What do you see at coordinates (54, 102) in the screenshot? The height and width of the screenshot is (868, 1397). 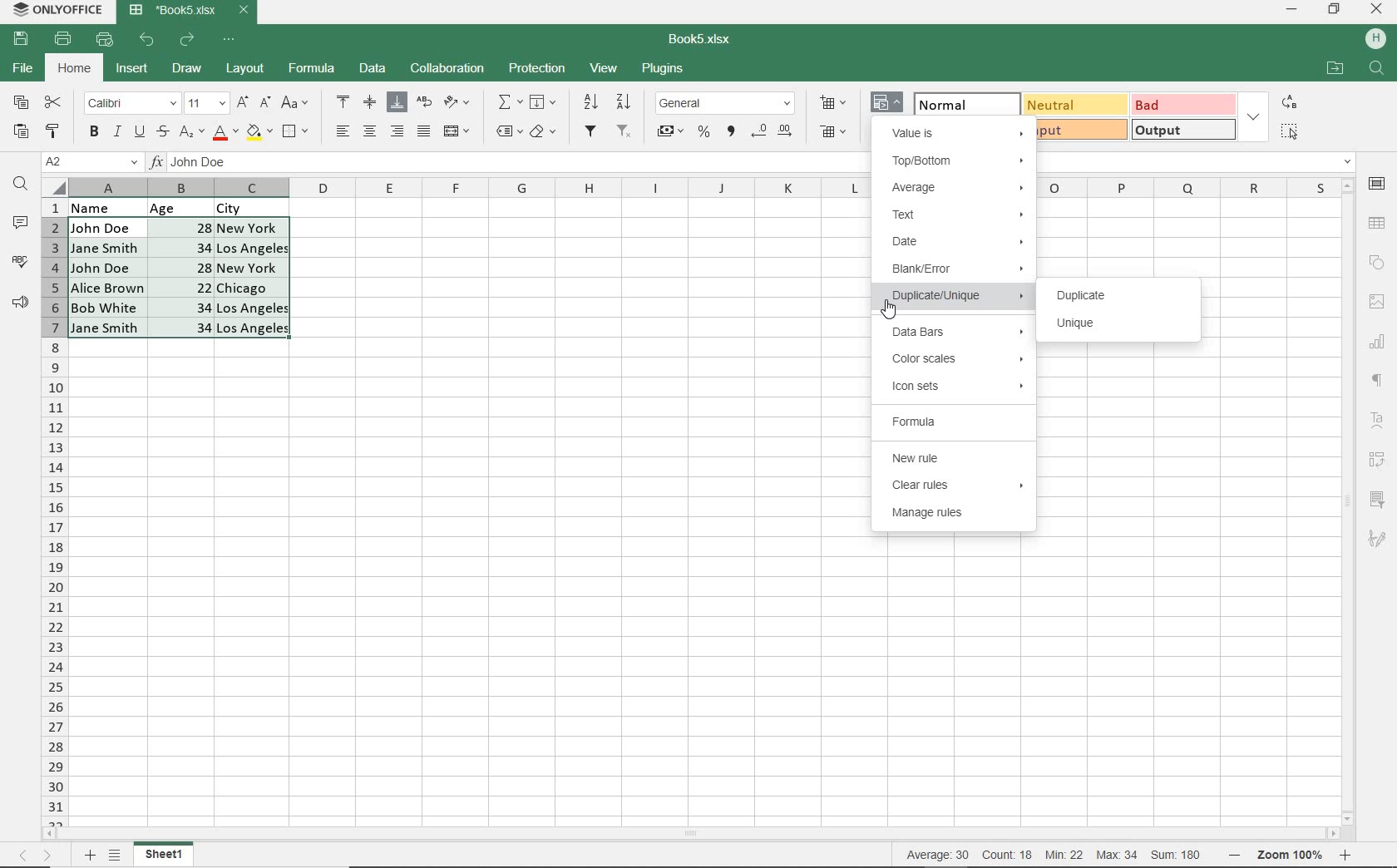 I see `CUT` at bounding box center [54, 102].